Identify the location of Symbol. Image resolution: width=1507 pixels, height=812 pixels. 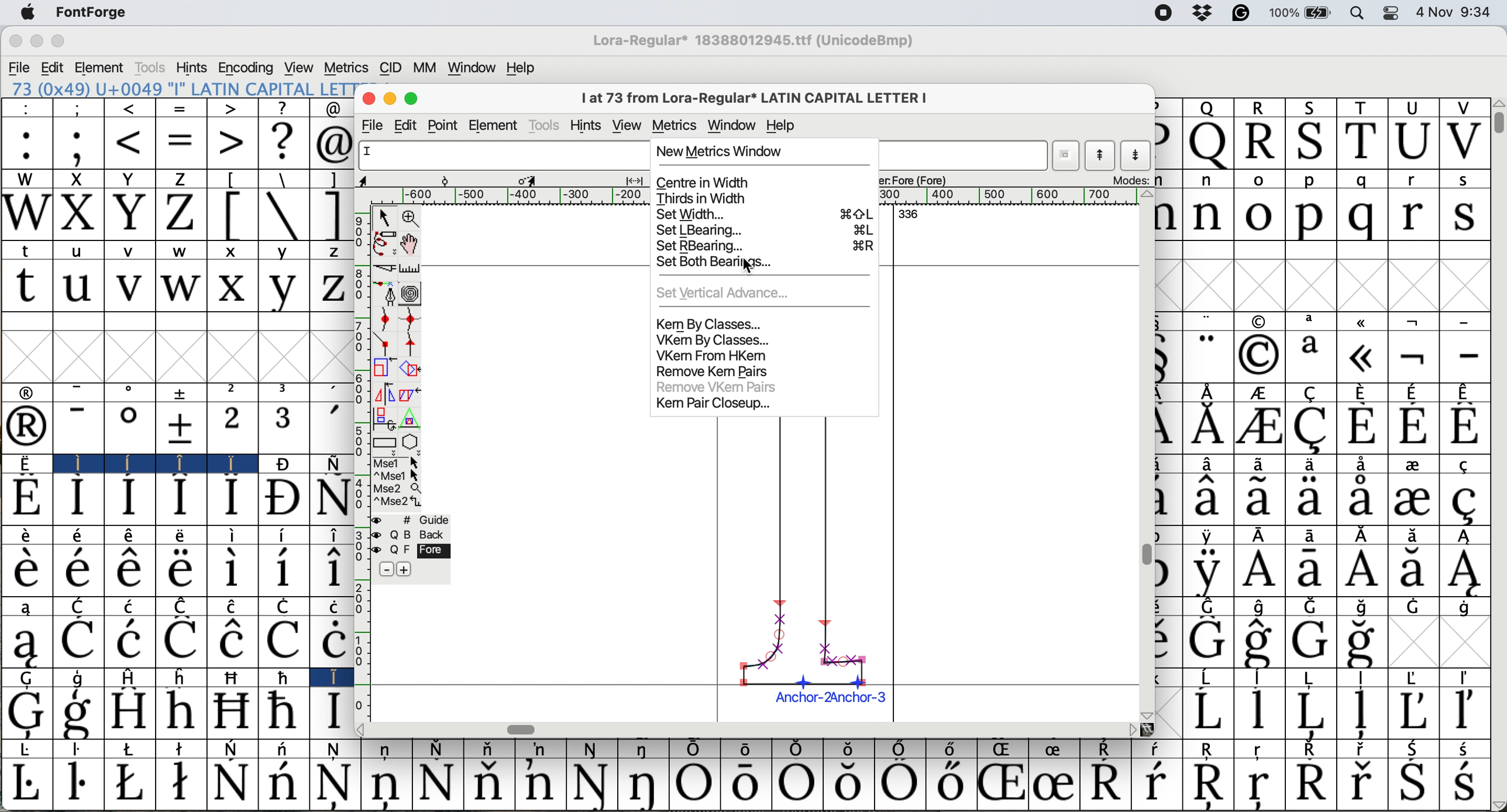
(285, 677).